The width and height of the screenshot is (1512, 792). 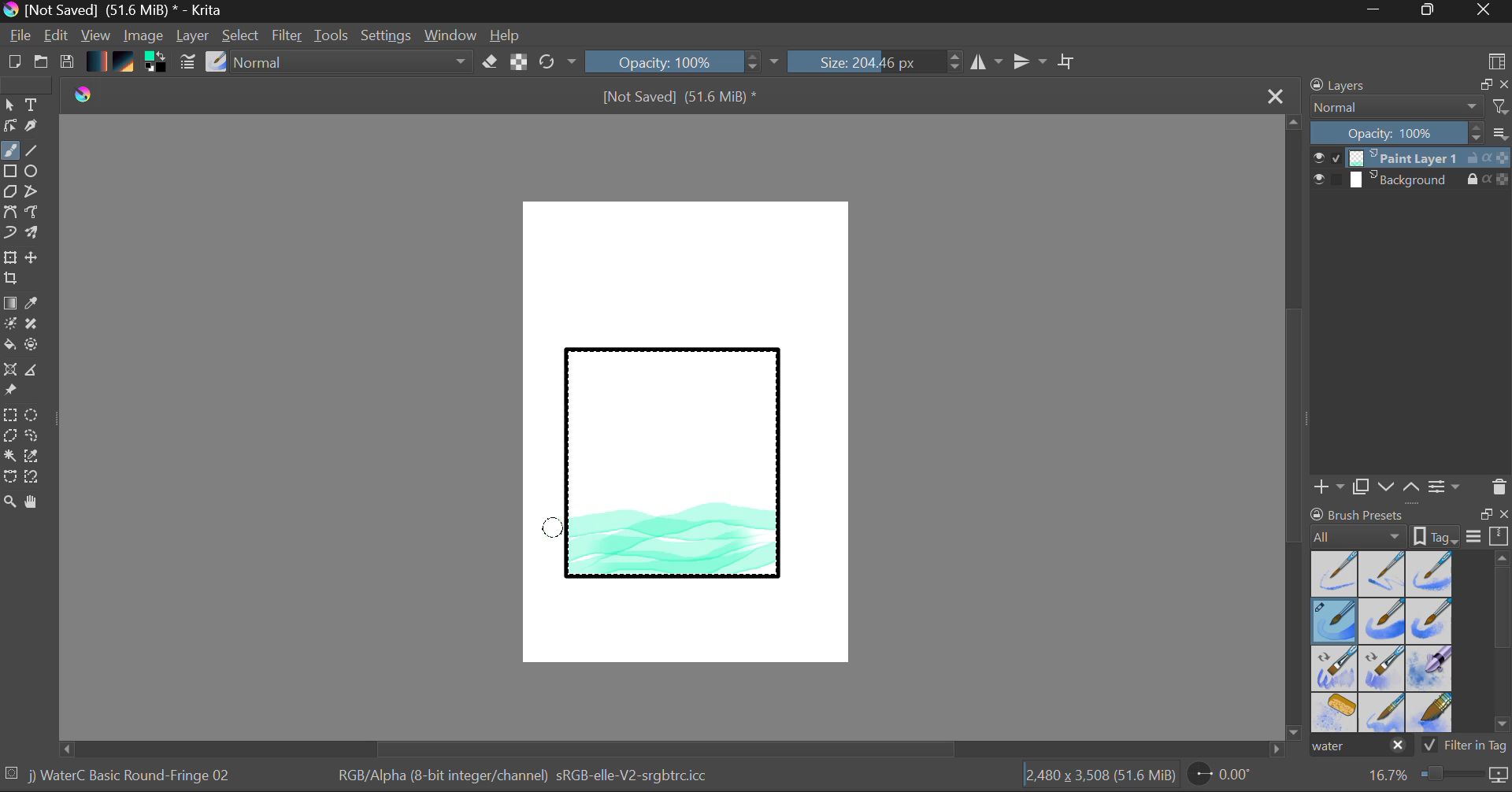 What do you see at coordinates (1436, 775) in the screenshot?
I see `Zoom` at bounding box center [1436, 775].